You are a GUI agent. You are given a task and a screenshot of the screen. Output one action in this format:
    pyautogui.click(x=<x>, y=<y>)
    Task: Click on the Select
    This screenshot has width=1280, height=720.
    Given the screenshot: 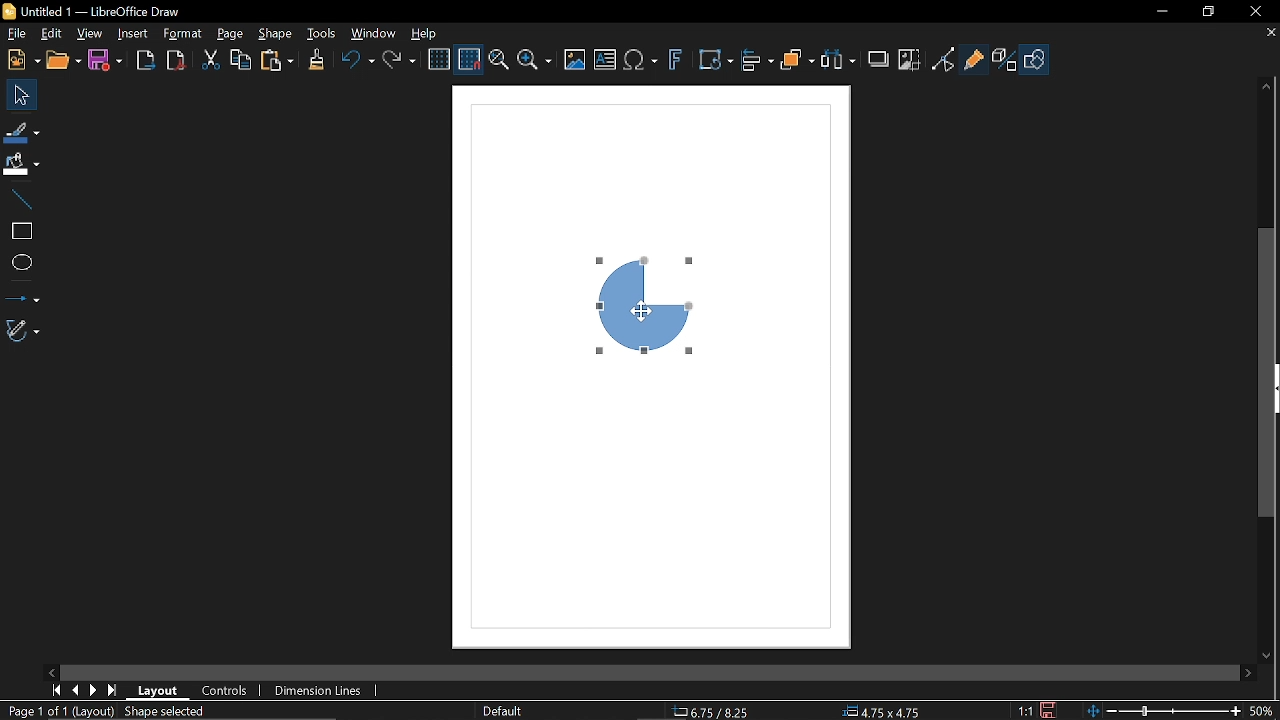 What is the action you would take?
    pyautogui.click(x=22, y=95)
    